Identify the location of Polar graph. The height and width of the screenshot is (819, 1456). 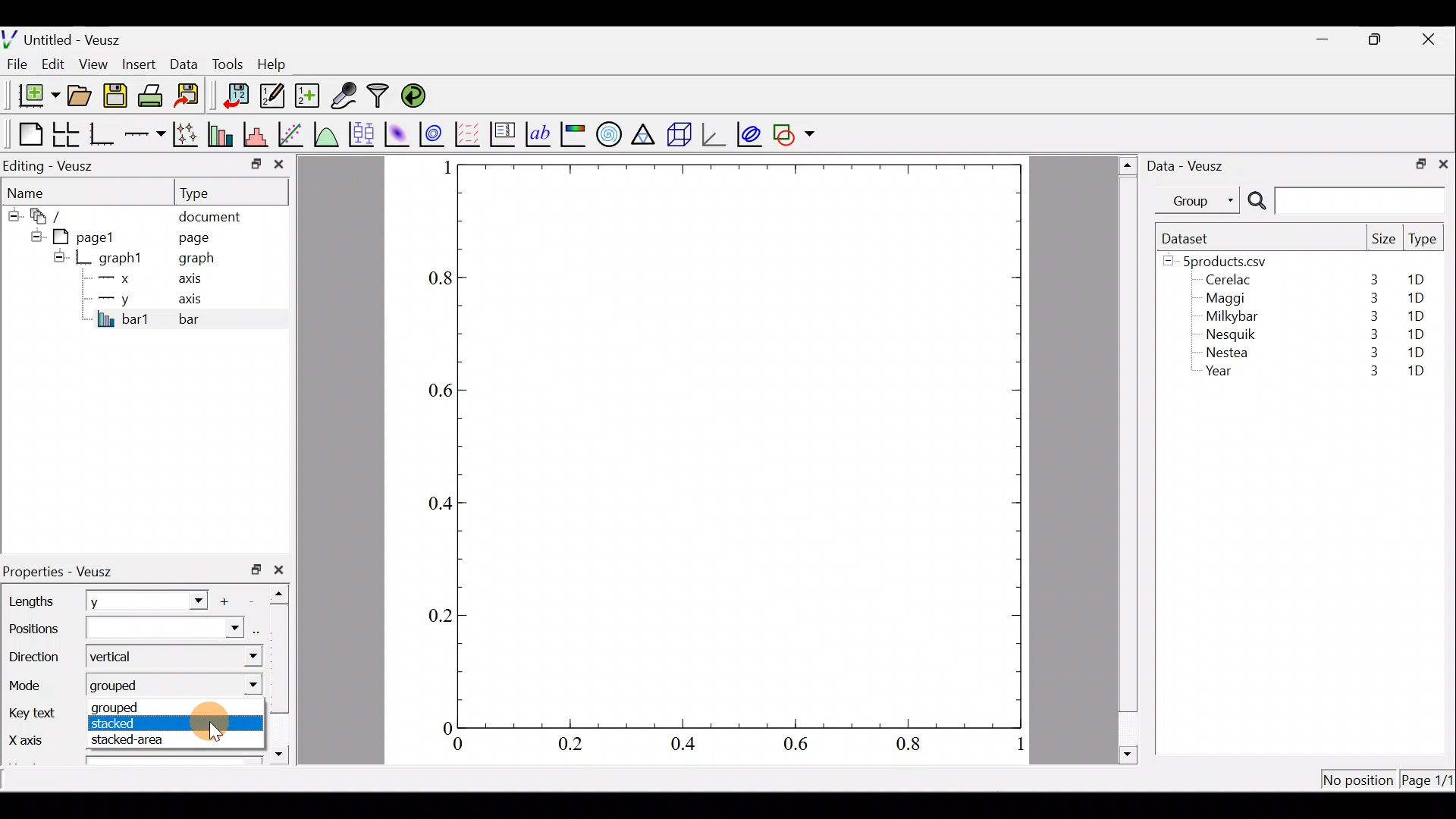
(606, 132).